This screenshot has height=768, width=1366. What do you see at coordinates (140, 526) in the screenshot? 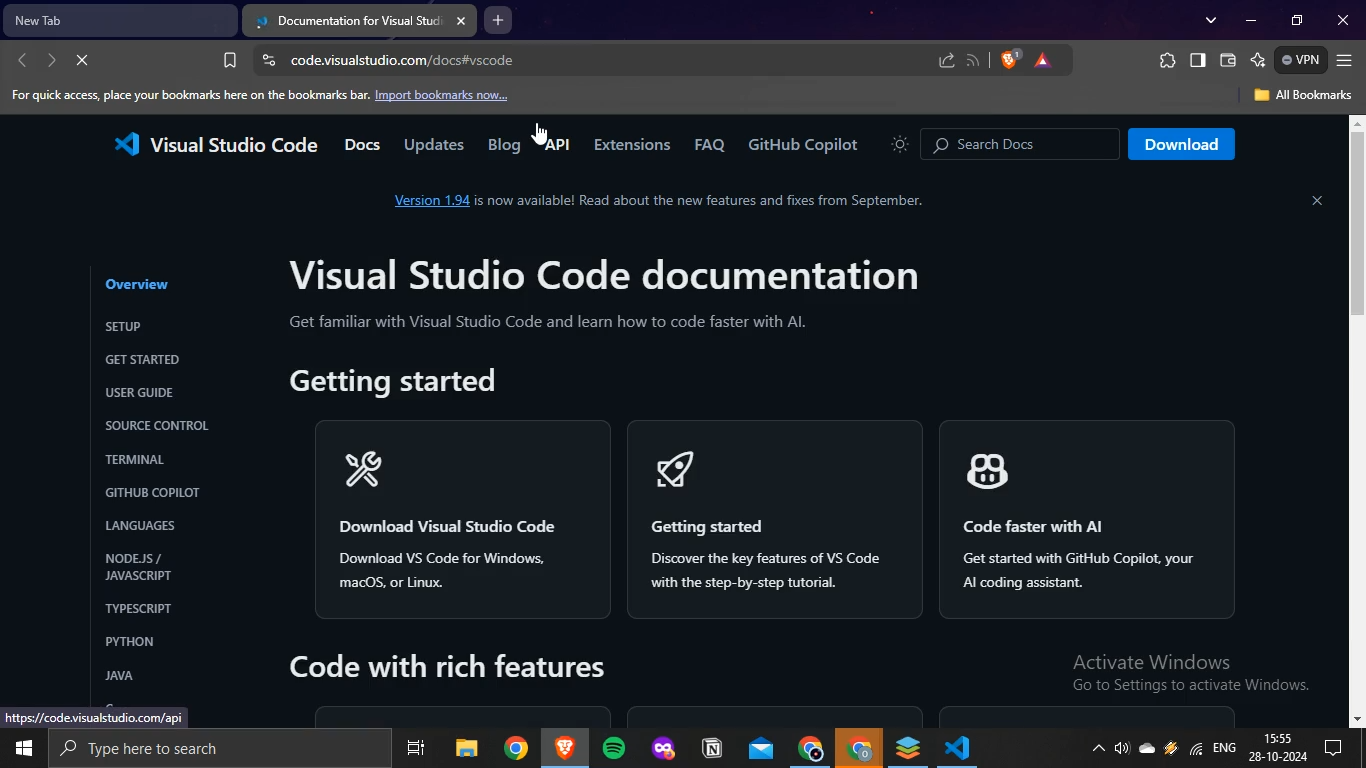
I see `LANGUAGES` at bounding box center [140, 526].